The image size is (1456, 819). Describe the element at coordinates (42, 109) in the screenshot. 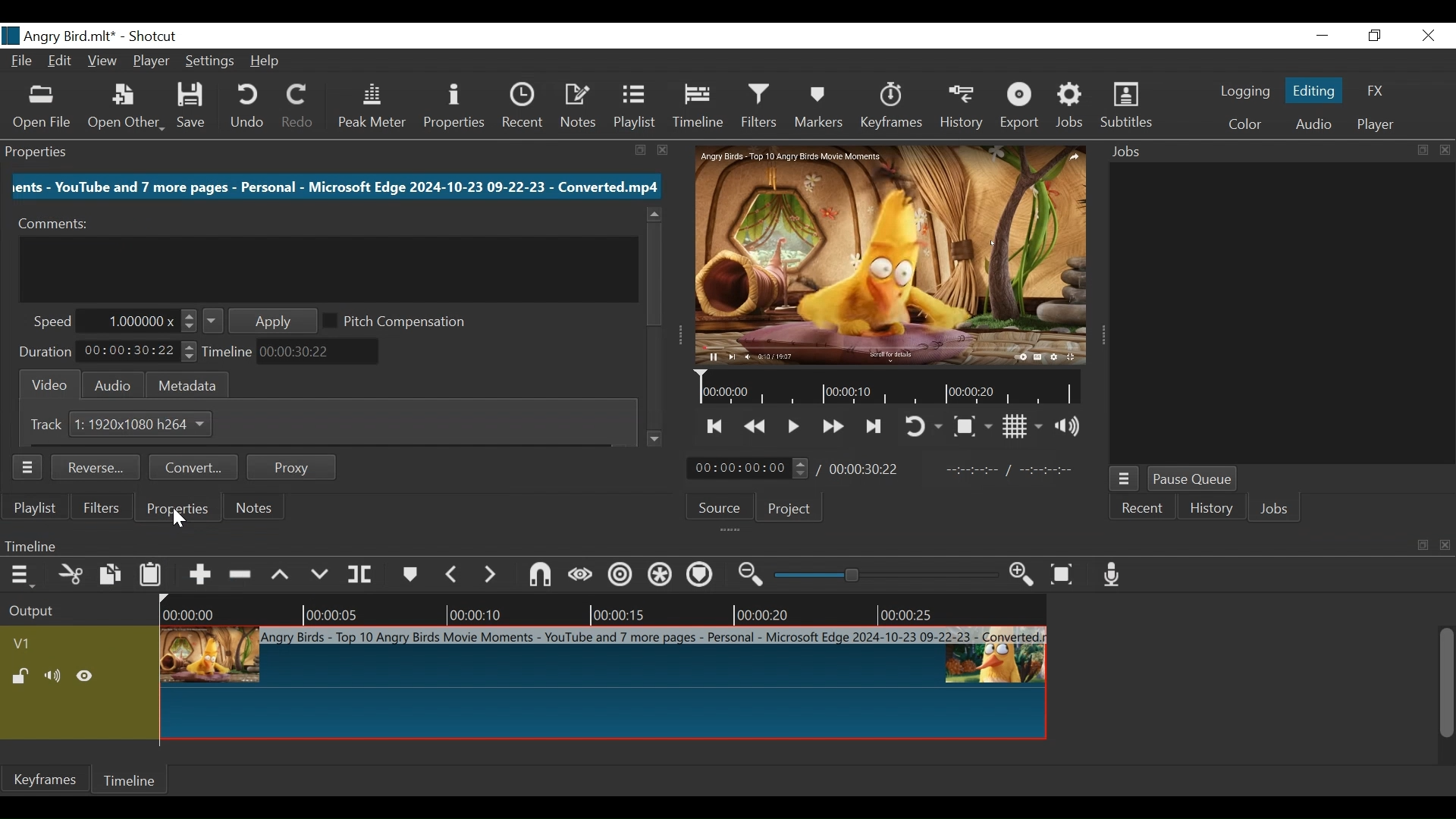

I see `Open Other File` at that location.